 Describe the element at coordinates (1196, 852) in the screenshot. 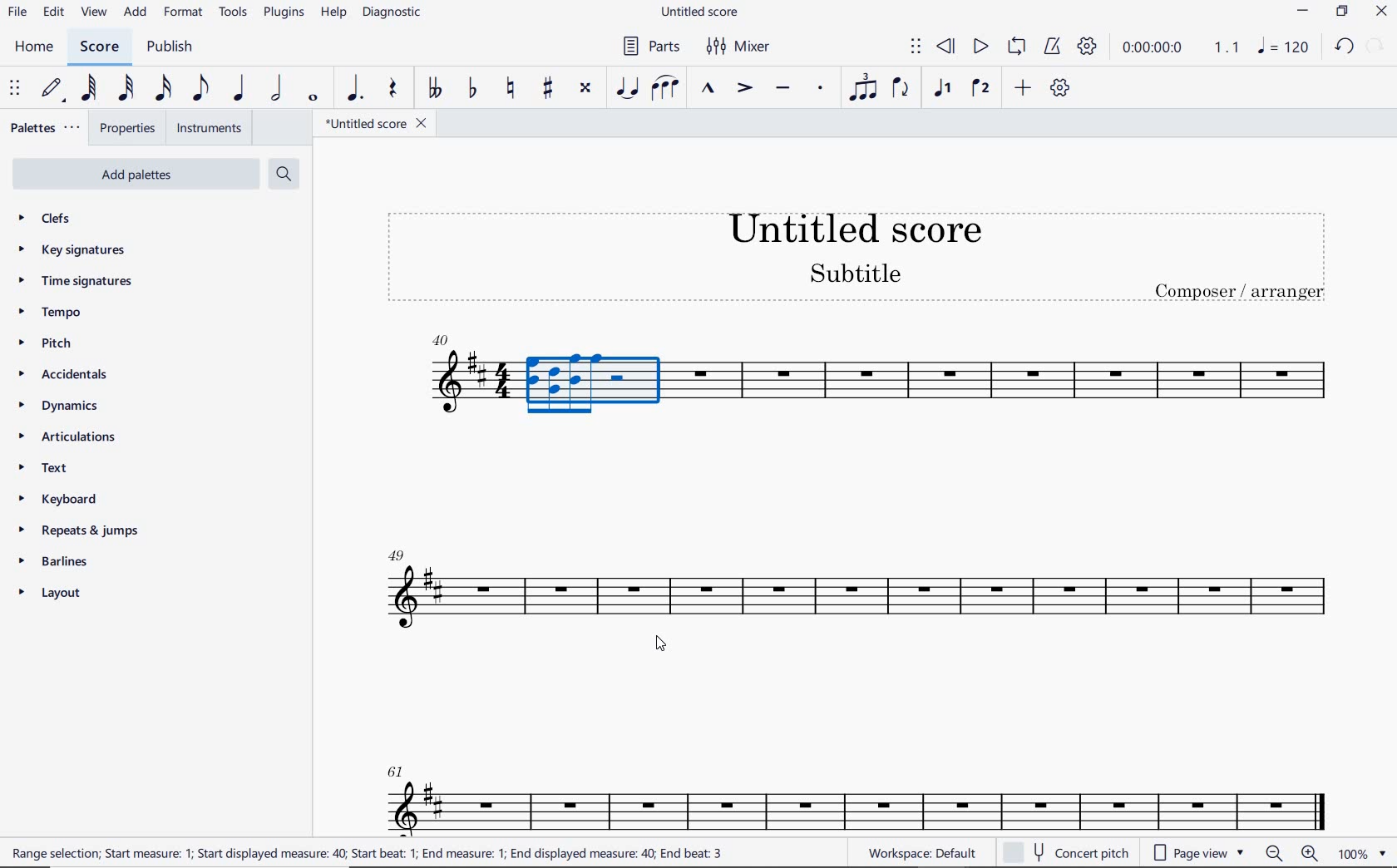

I see `page view` at that location.